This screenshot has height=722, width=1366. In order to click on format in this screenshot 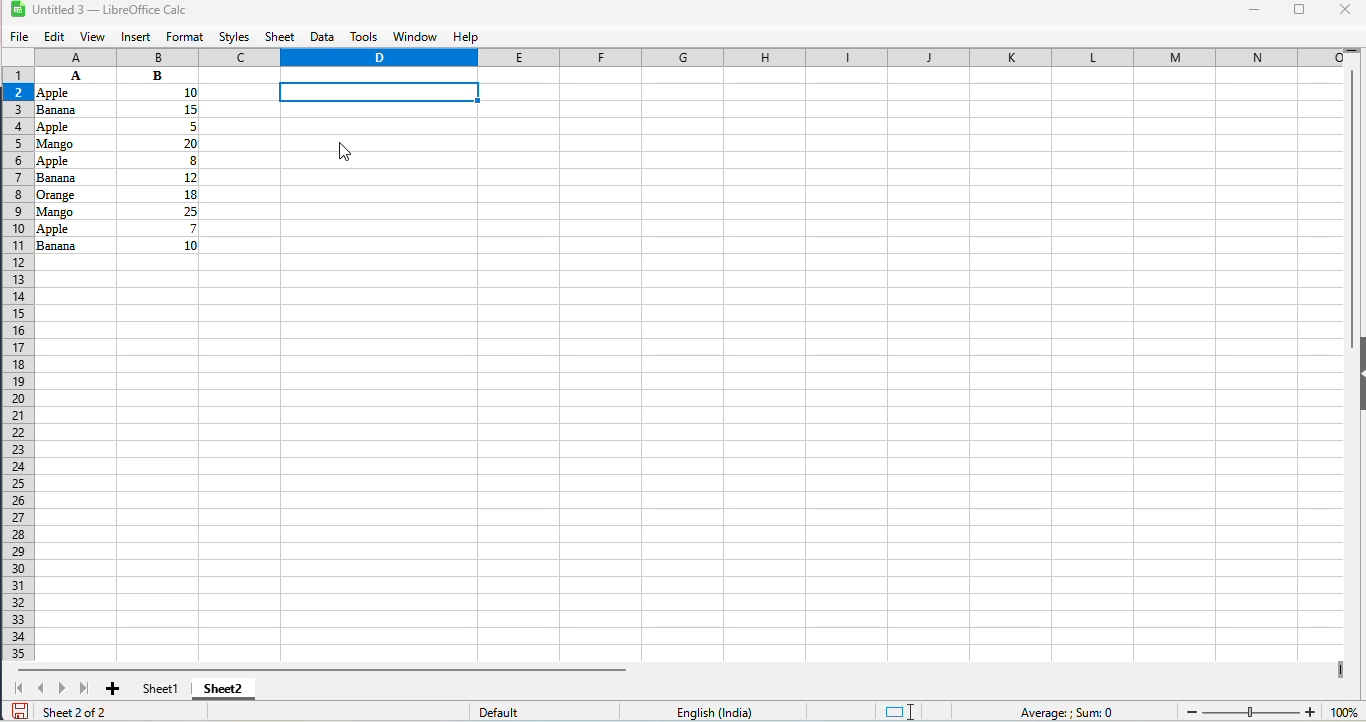, I will do `click(184, 38)`.